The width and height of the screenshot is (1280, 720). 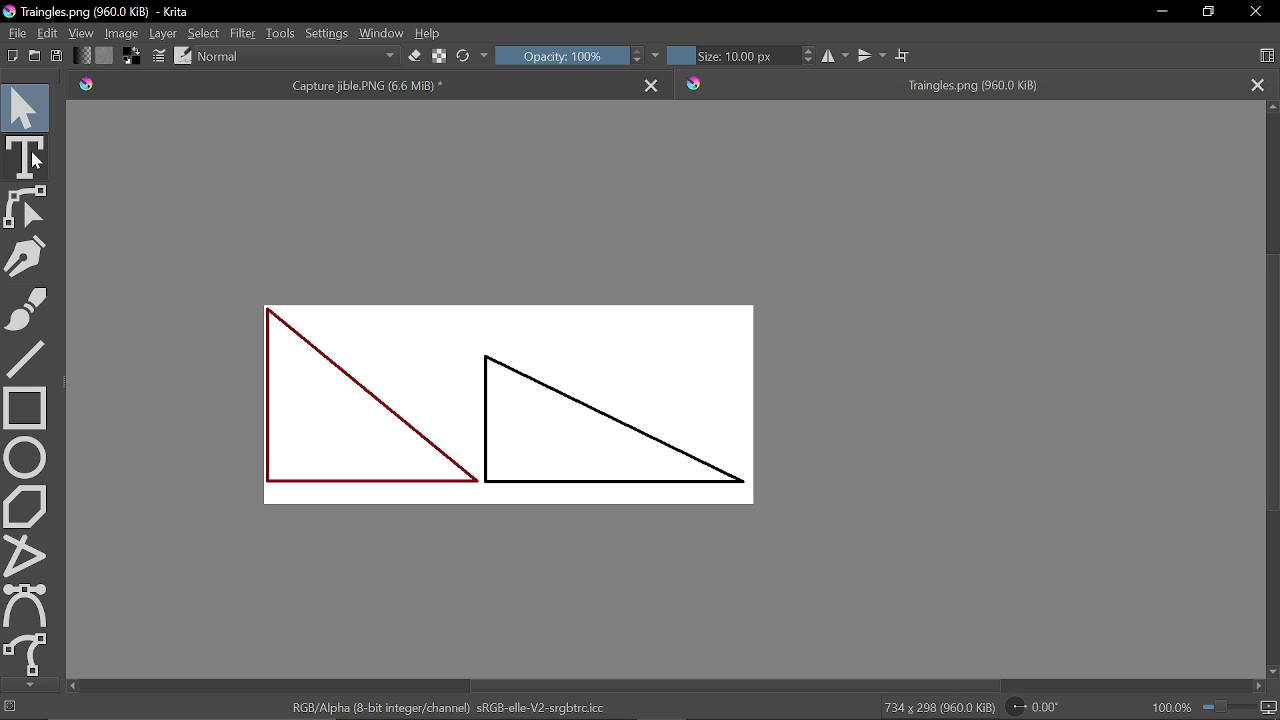 What do you see at coordinates (28, 255) in the screenshot?
I see `Caligraphy` at bounding box center [28, 255].